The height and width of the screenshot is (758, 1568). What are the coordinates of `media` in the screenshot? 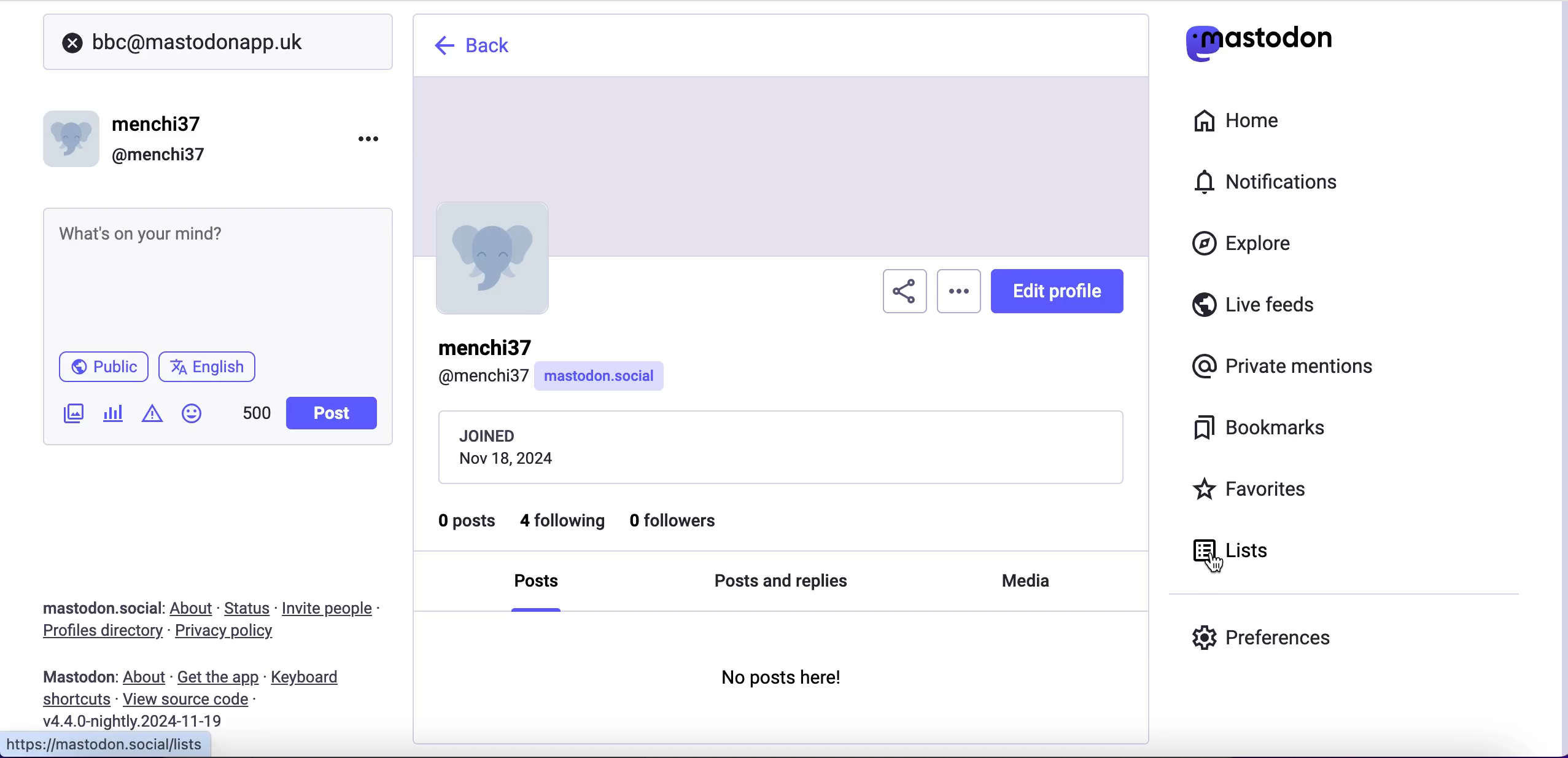 It's located at (1026, 578).